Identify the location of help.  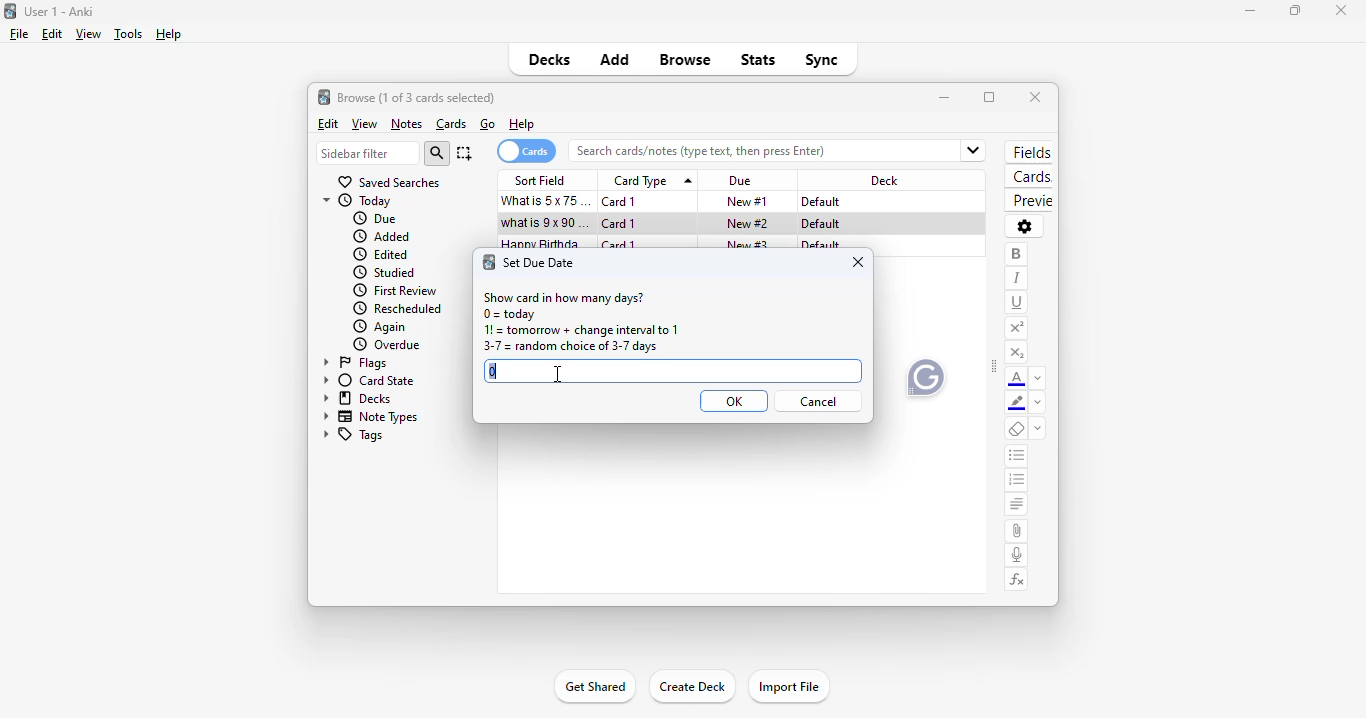
(170, 35).